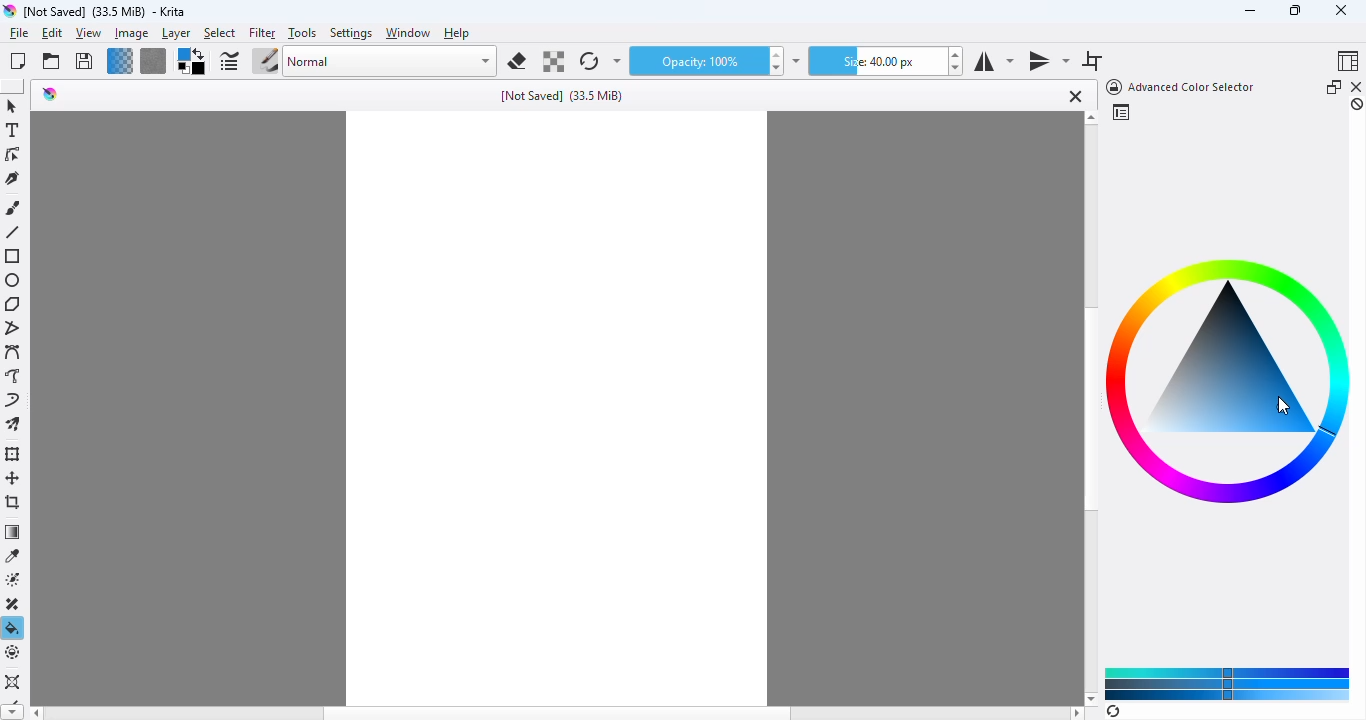  Describe the element at coordinates (1089, 410) in the screenshot. I see `vertical scroll bar` at that location.